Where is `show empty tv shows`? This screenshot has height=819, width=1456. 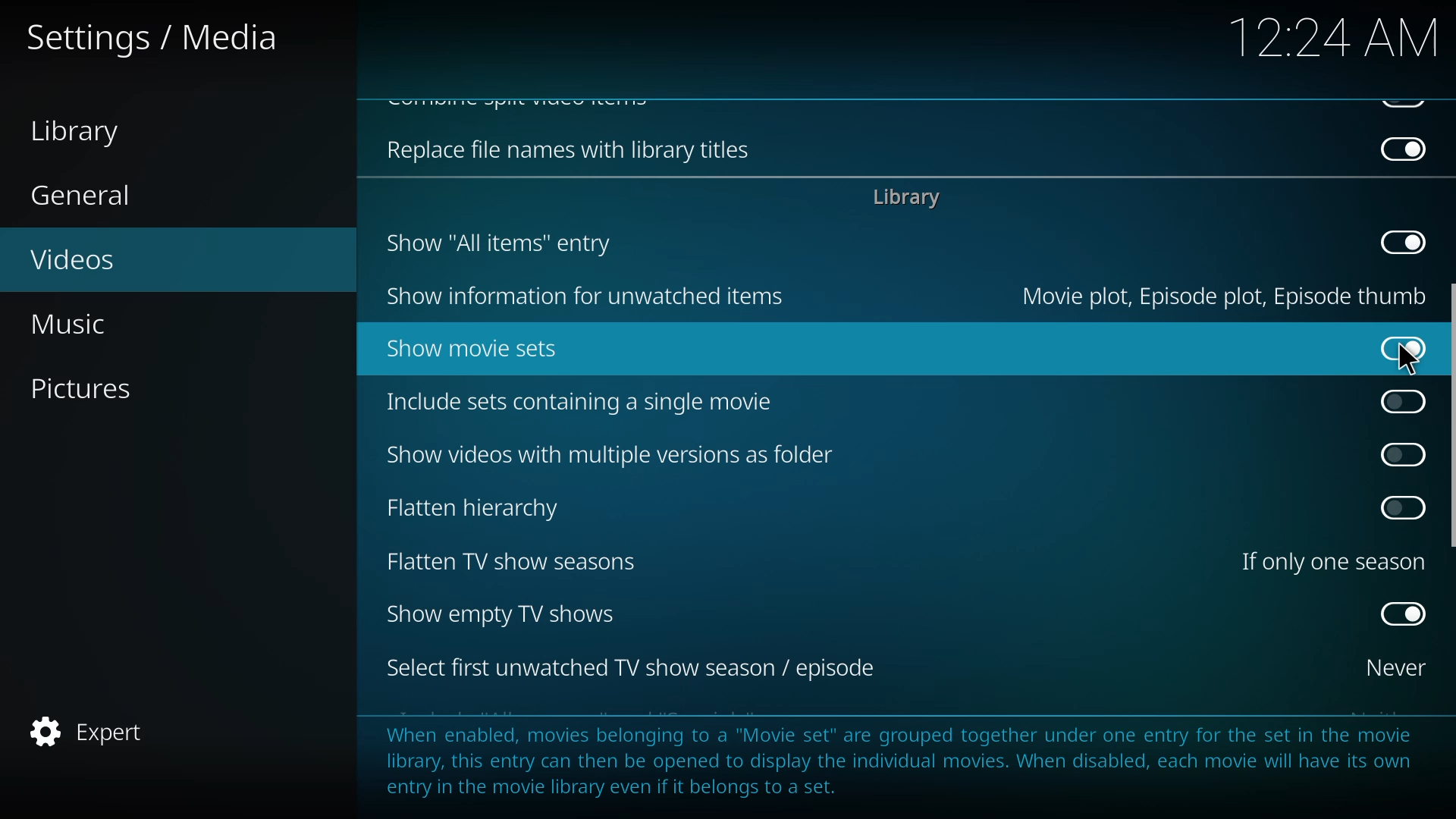
show empty tv shows is located at coordinates (501, 614).